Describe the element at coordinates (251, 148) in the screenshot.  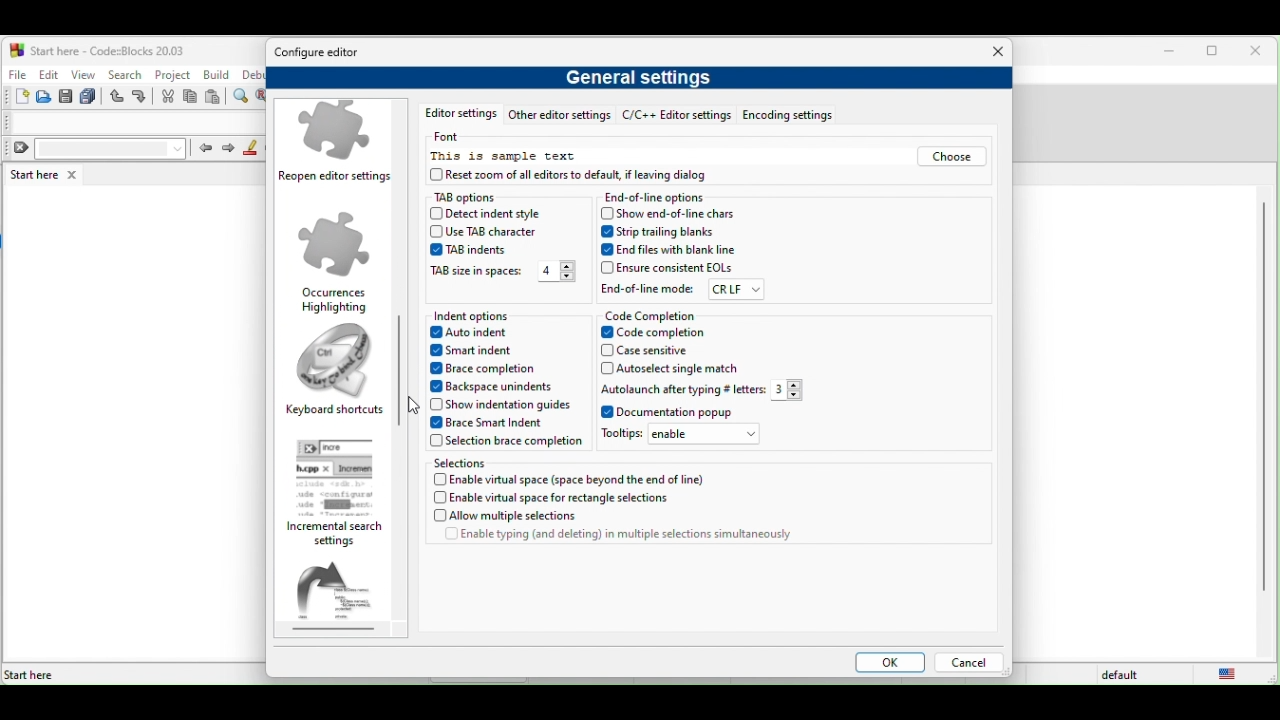
I see `highlight` at that location.